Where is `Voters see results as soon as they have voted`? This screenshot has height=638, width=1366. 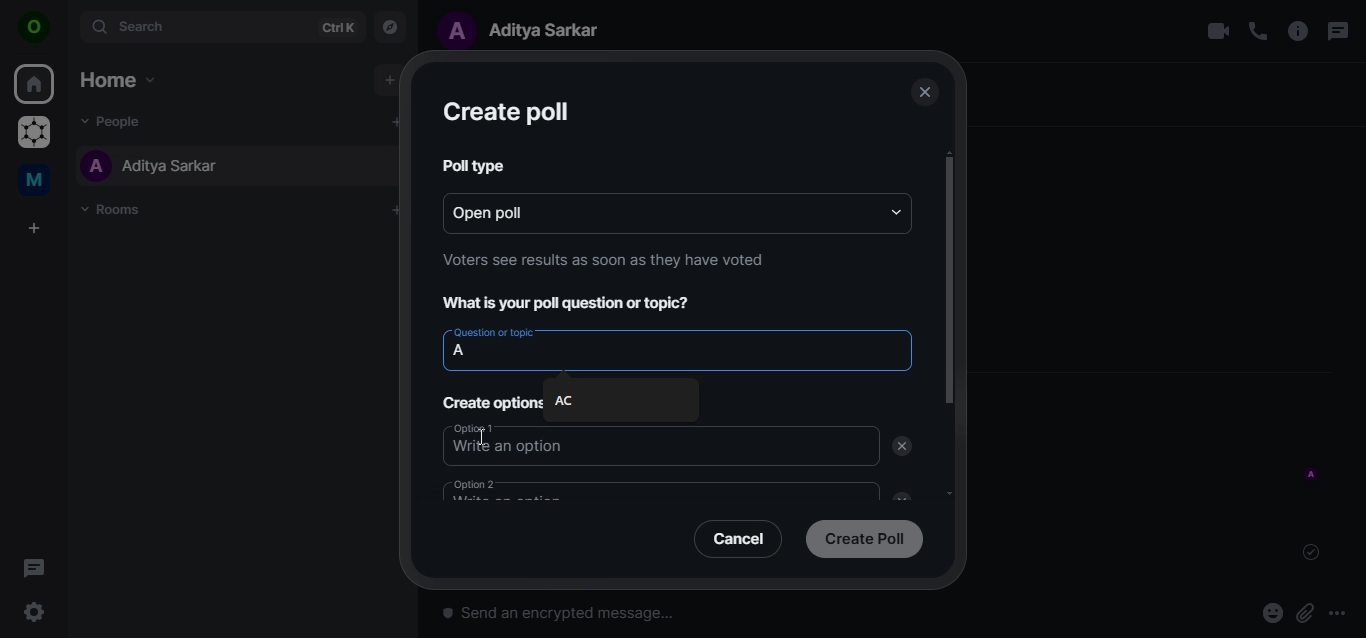 Voters see results as soon as they have voted is located at coordinates (604, 259).